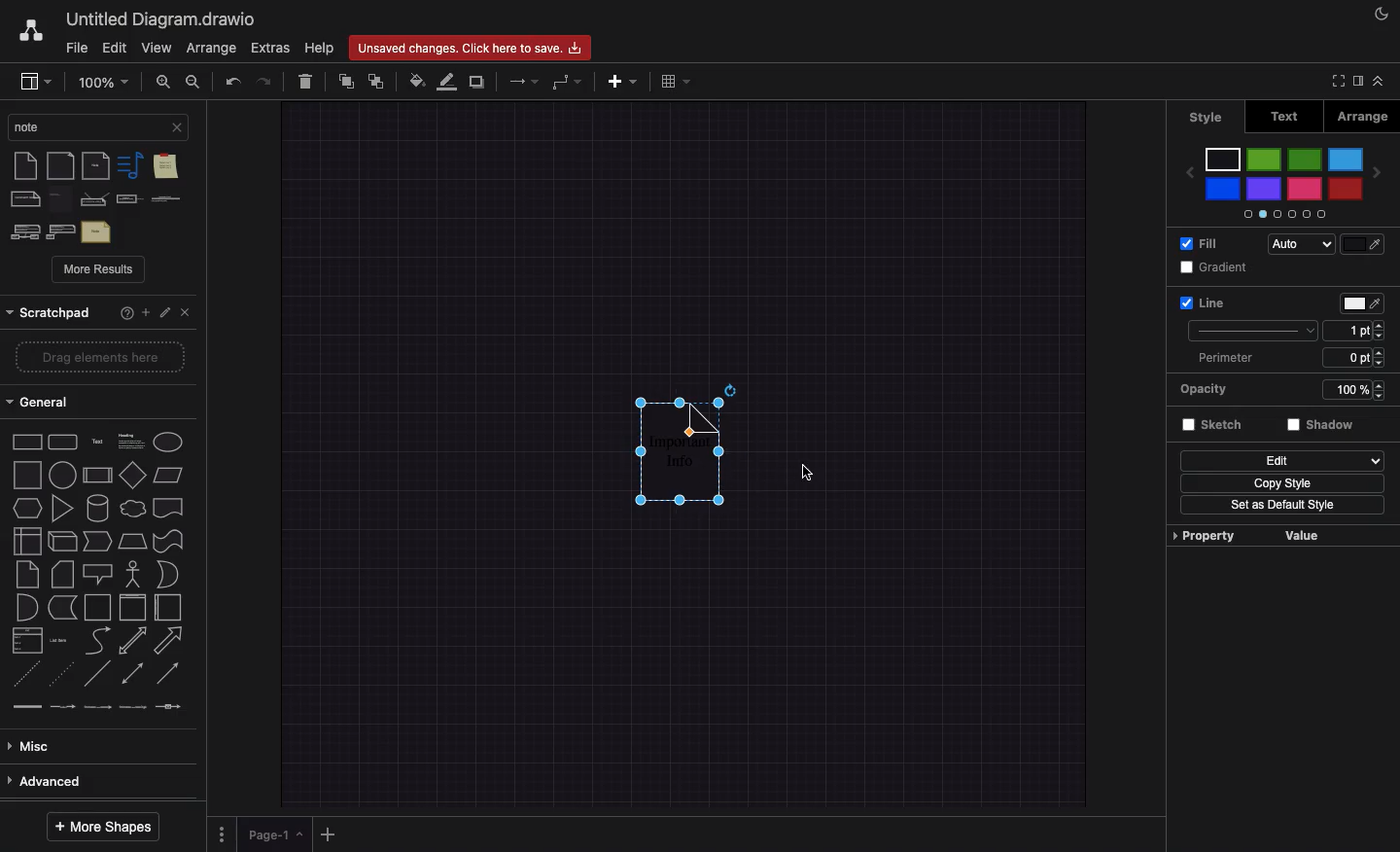 The image size is (1400, 852). I want to click on stereotype note, so click(22, 231).